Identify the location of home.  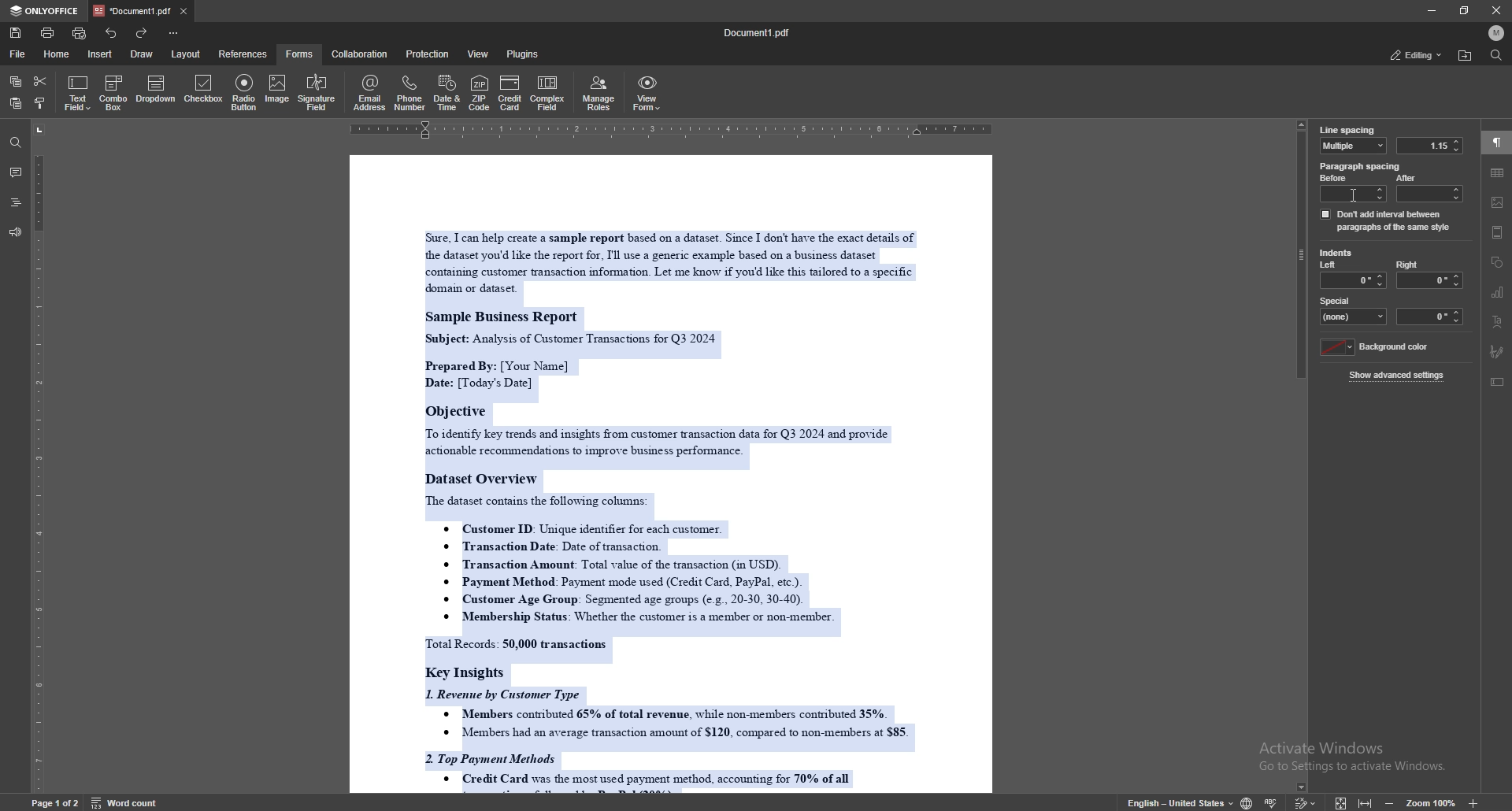
(59, 54).